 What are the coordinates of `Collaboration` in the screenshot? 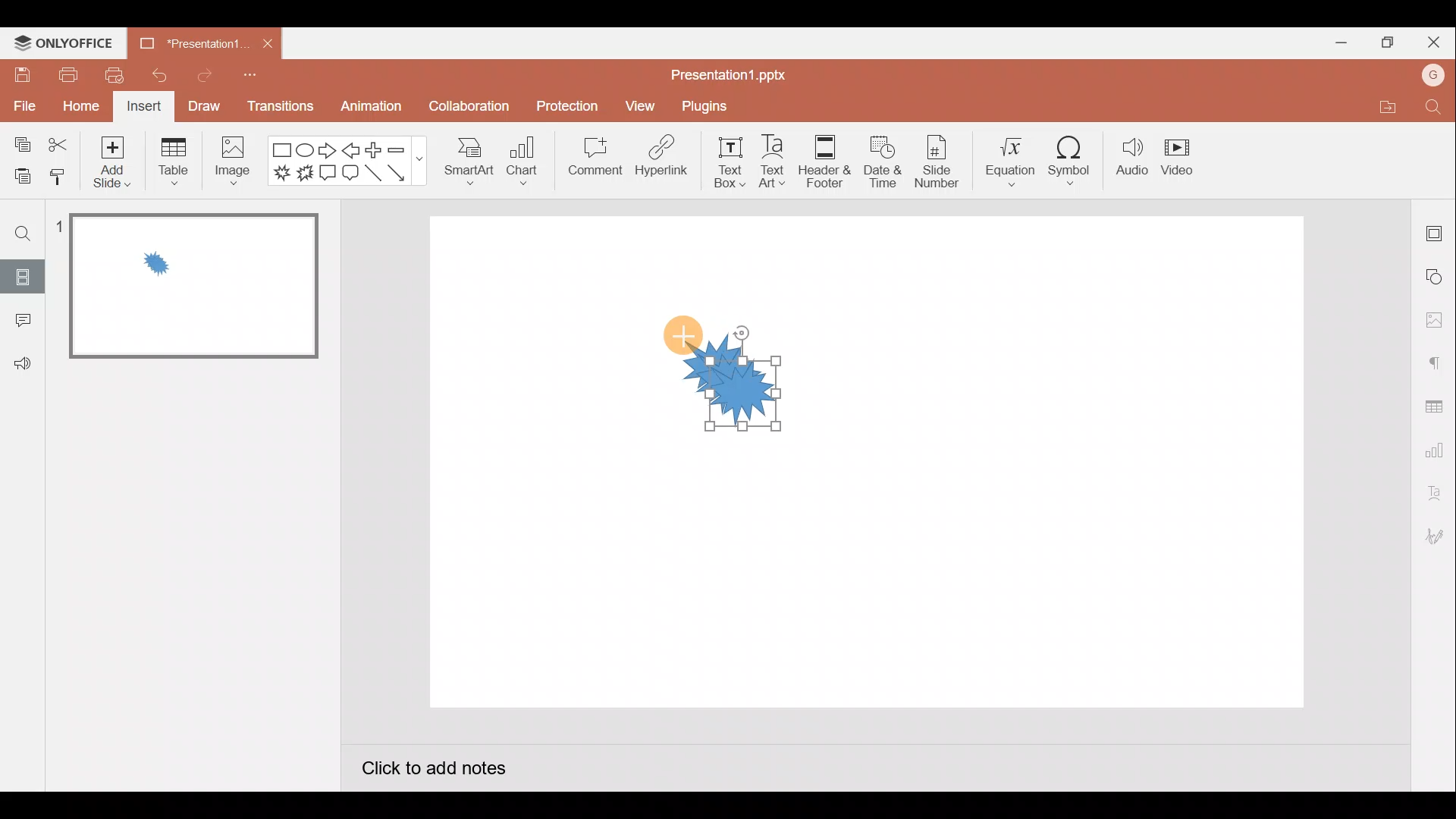 It's located at (466, 106).